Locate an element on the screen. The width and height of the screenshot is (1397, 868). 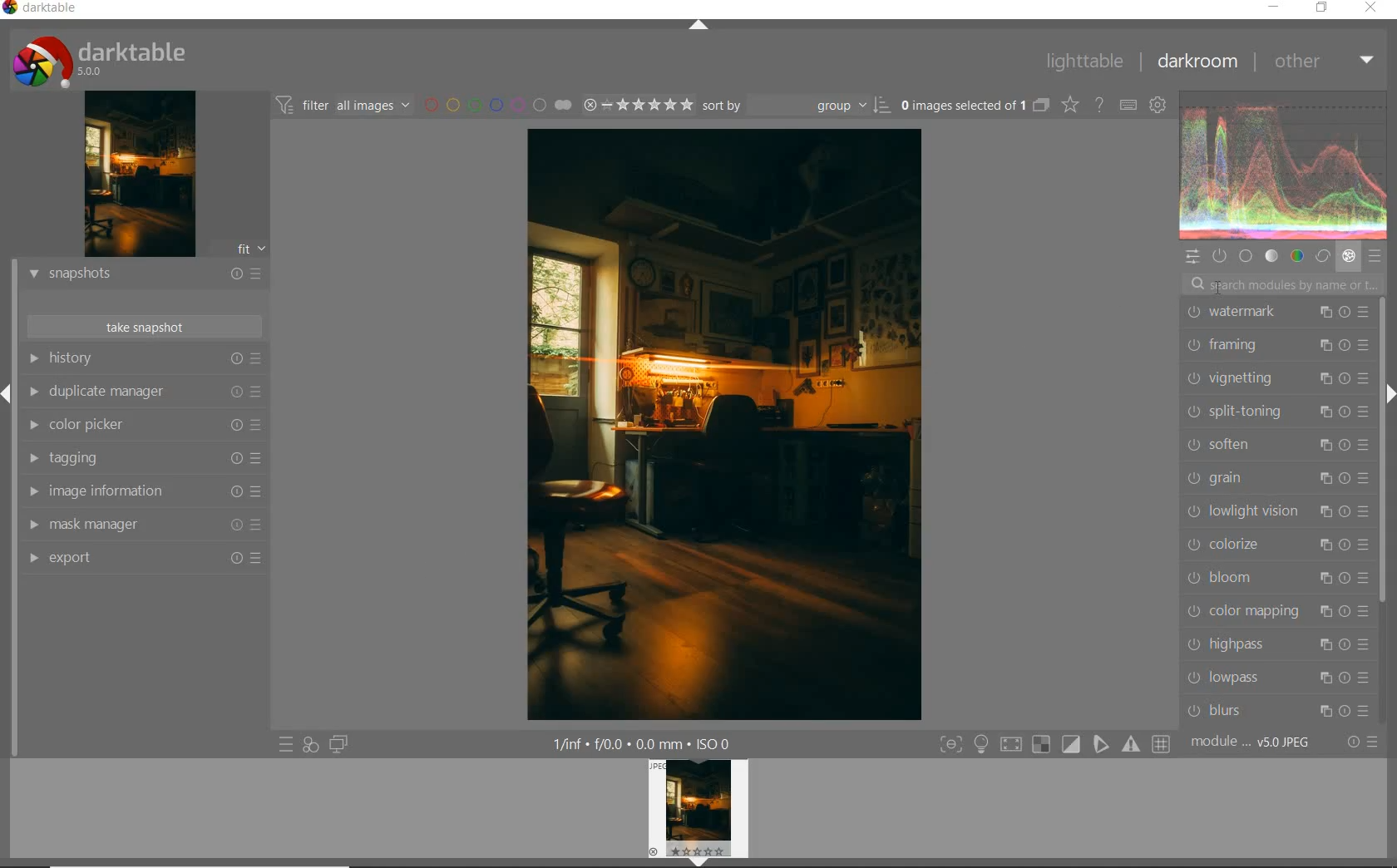
expand/collapse is located at coordinates (698, 26).